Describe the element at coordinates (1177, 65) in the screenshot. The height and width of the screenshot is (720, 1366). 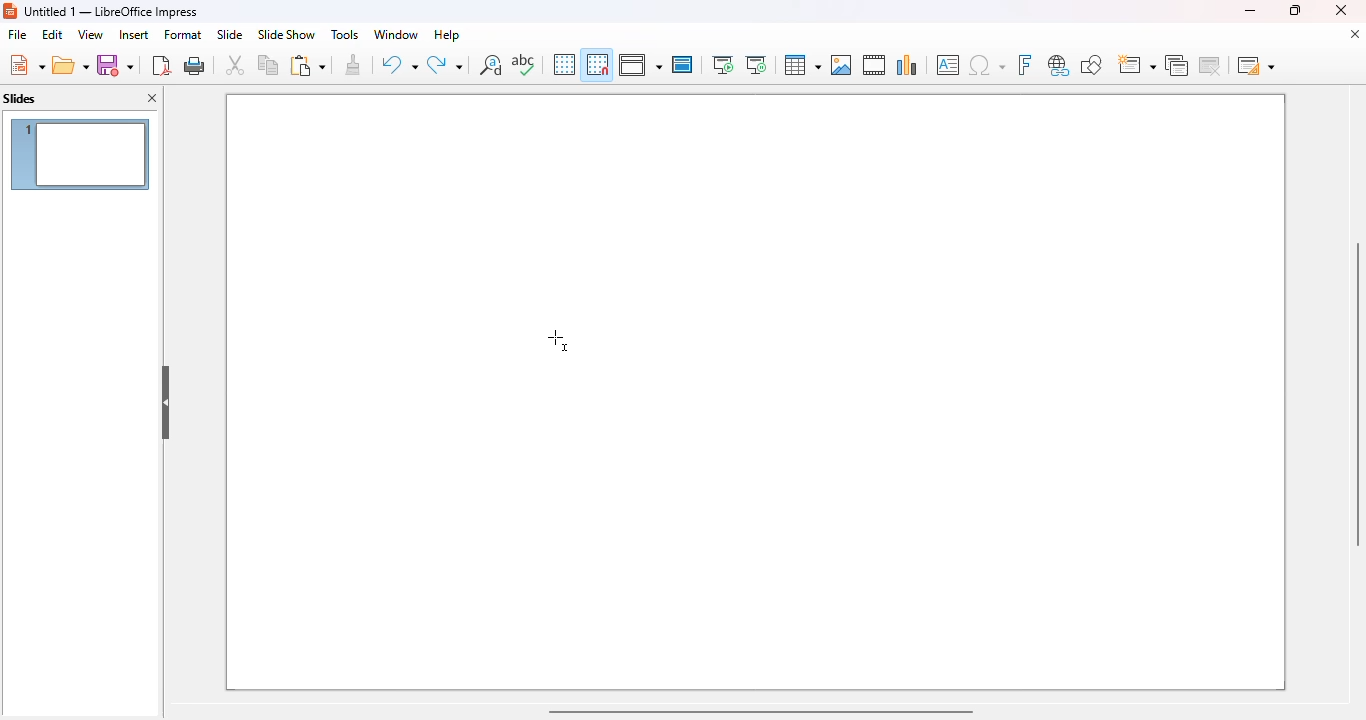
I see `duplicate slide` at that location.